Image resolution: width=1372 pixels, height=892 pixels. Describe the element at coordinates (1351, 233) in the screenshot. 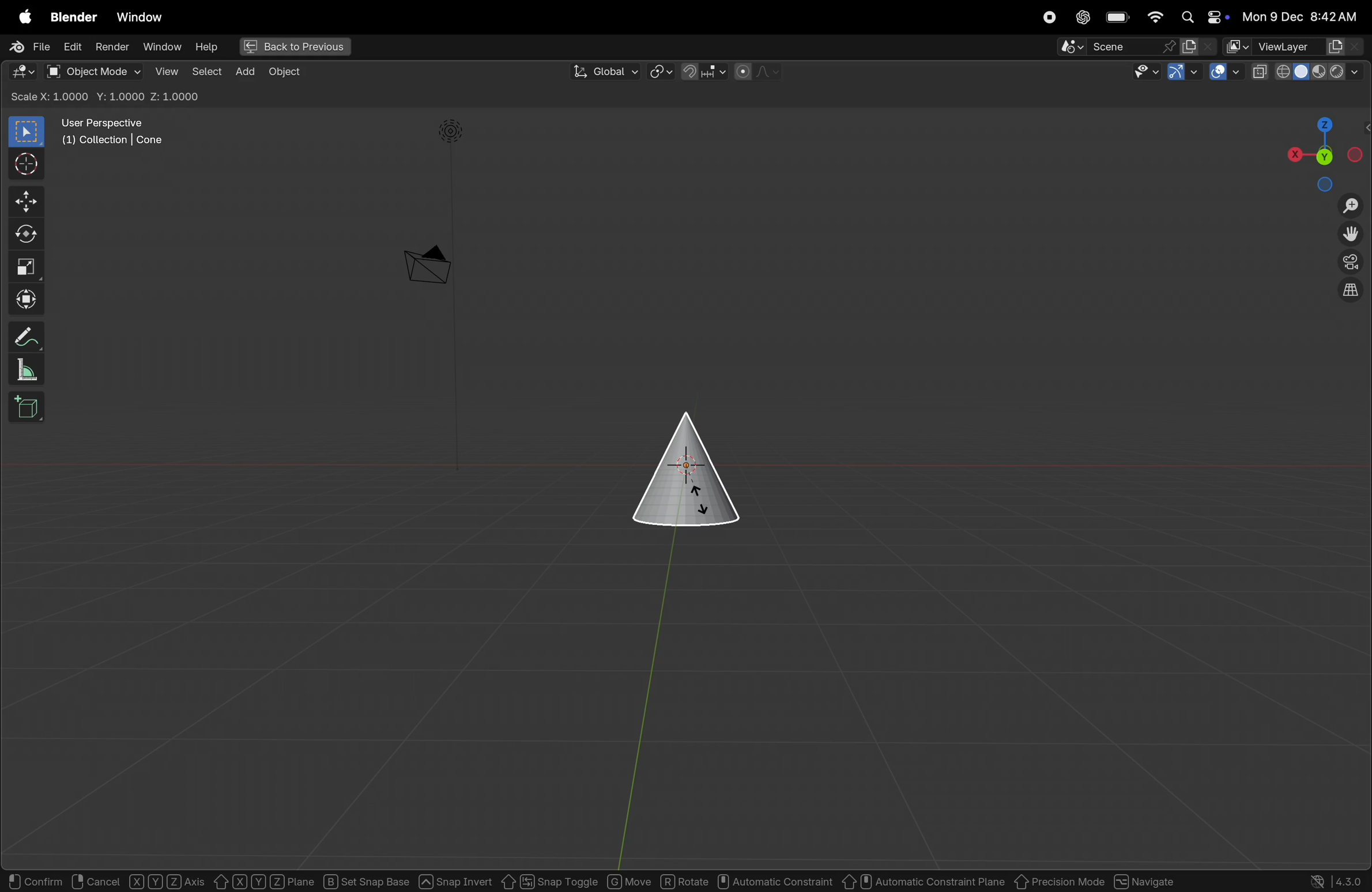

I see `move the view` at that location.